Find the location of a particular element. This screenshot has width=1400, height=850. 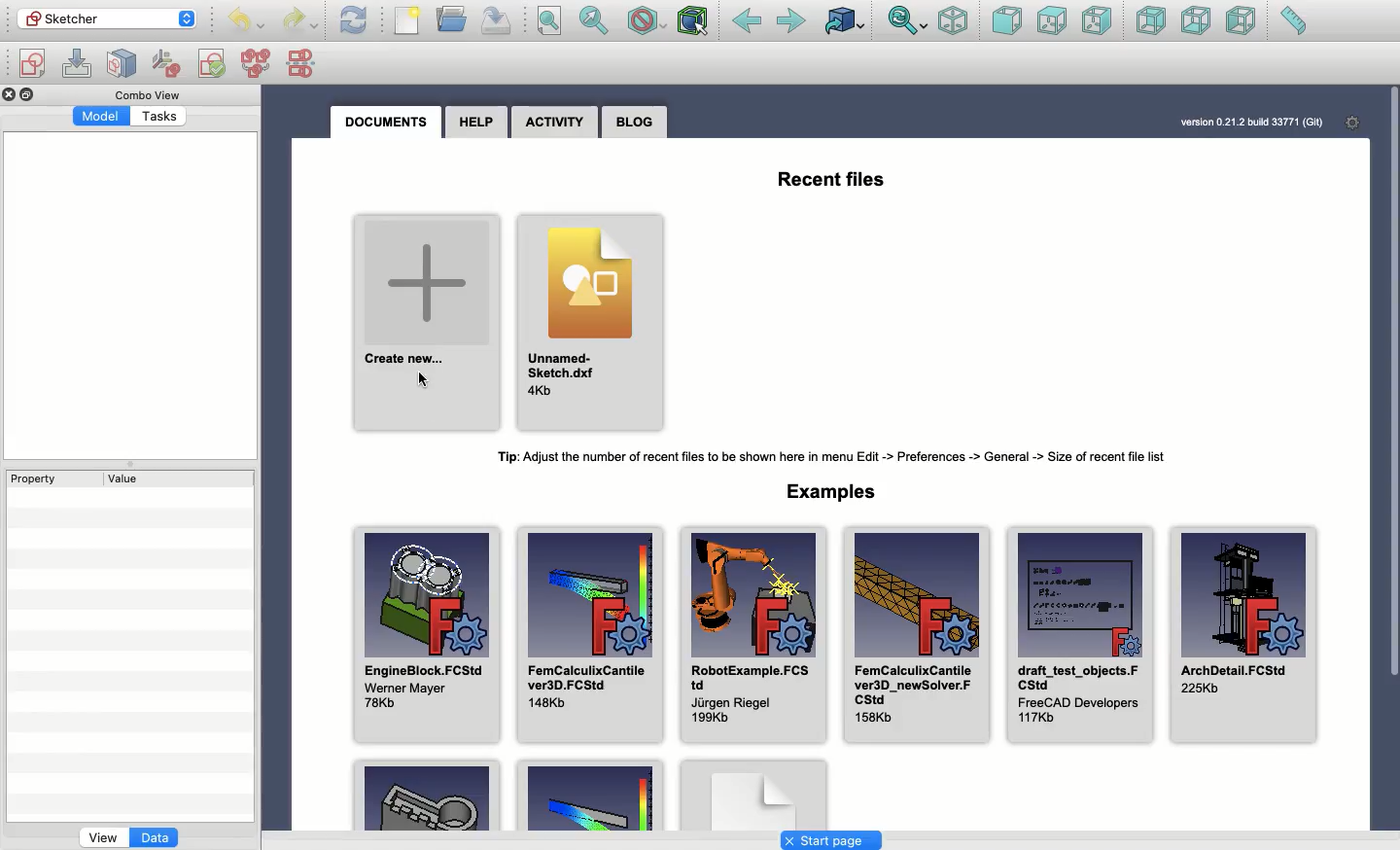

Example 1 is located at coordinates (423, 796).